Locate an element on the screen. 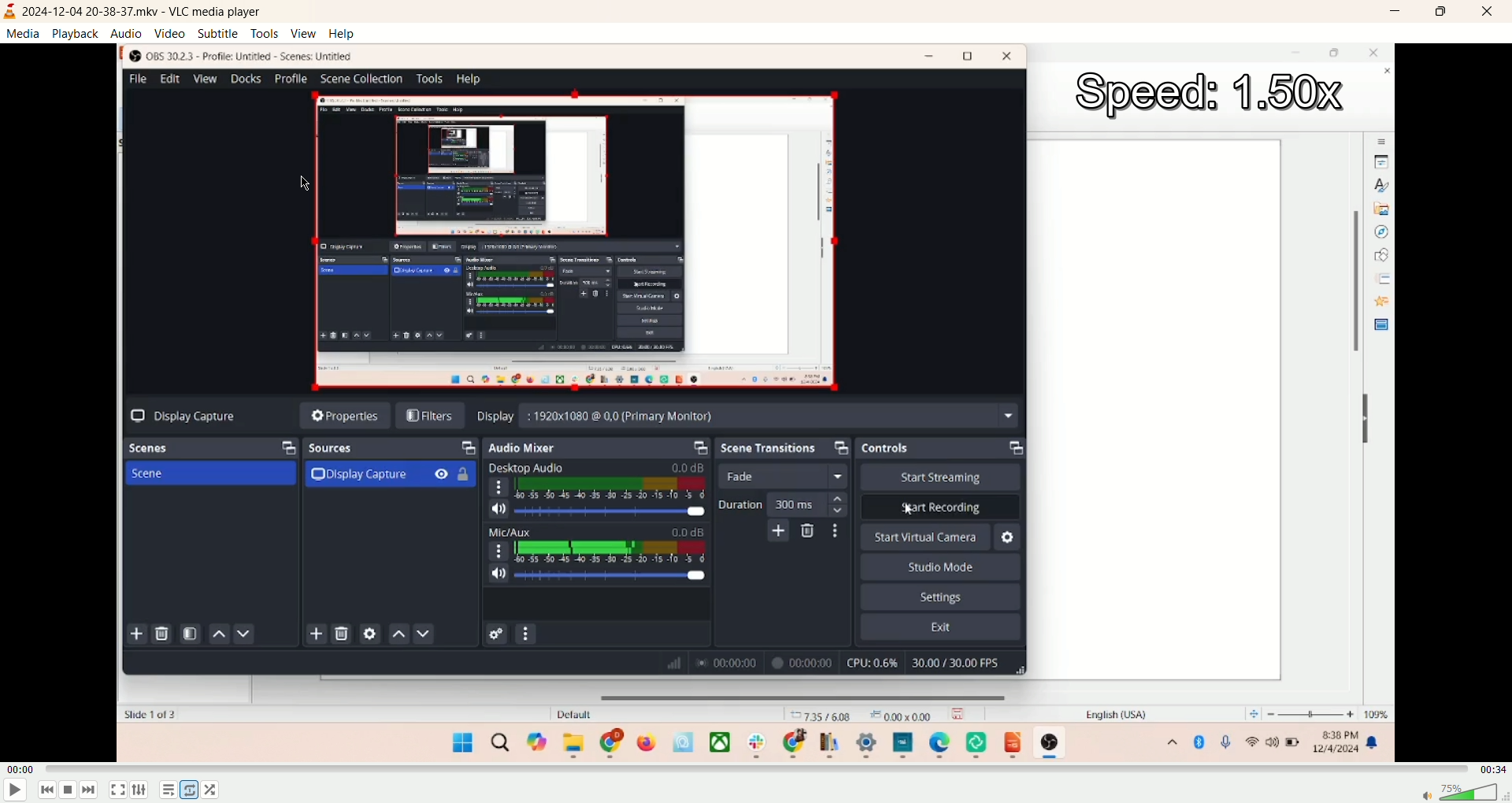 This screenshot has height=803, width=1512. playback is located at coordinates (75, 33).